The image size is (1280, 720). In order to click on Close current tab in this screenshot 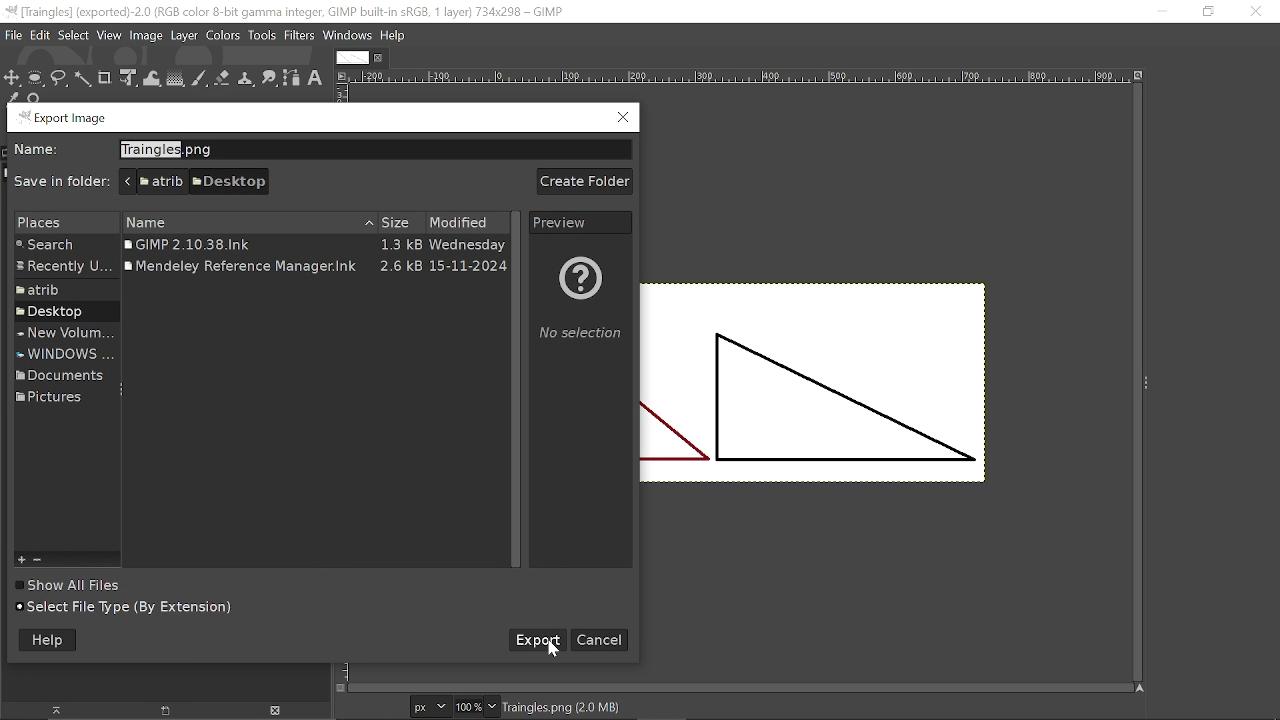, I will do `click(379, 58)`.